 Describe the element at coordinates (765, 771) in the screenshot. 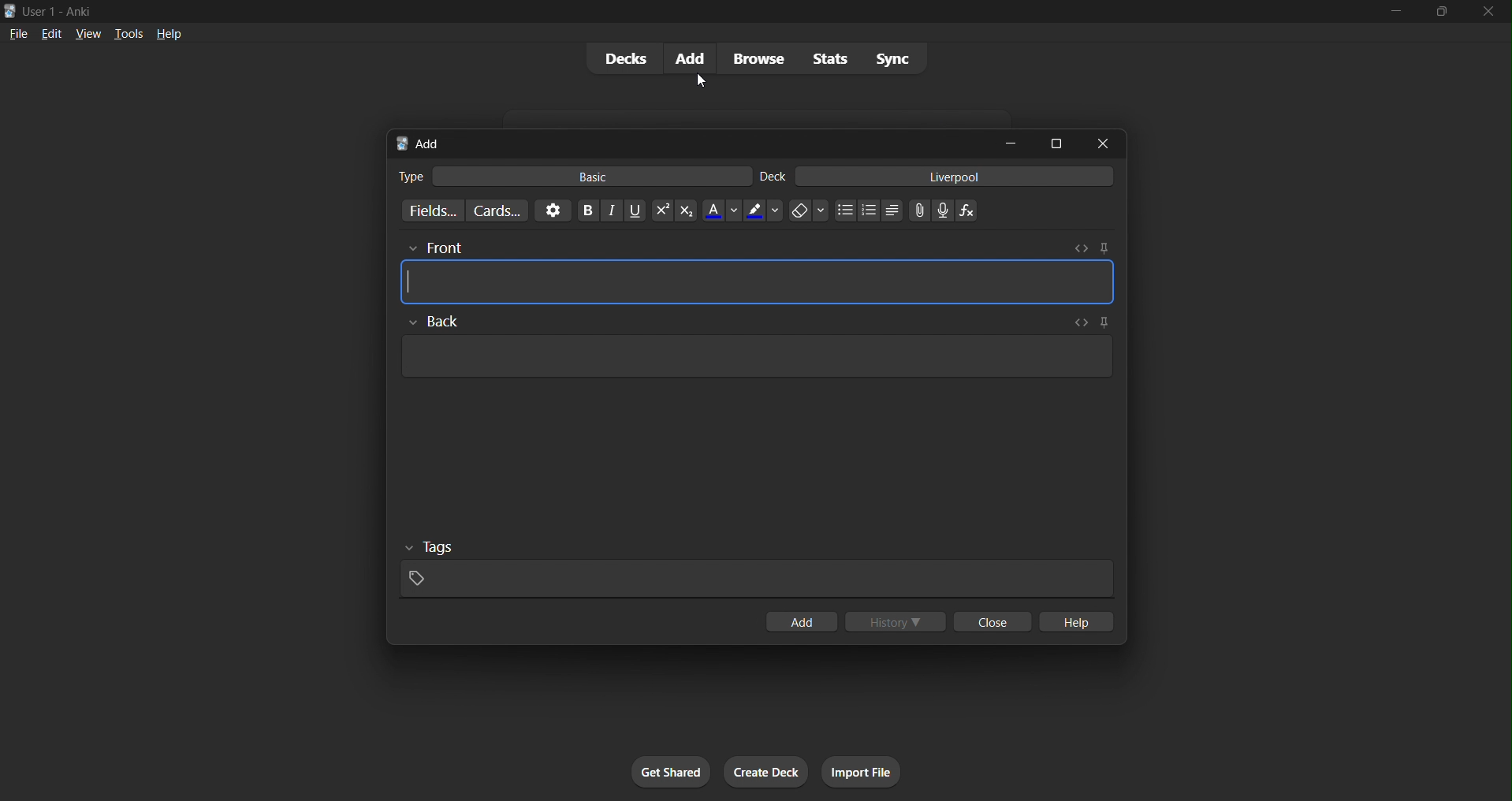

I see `create deck` at that location.